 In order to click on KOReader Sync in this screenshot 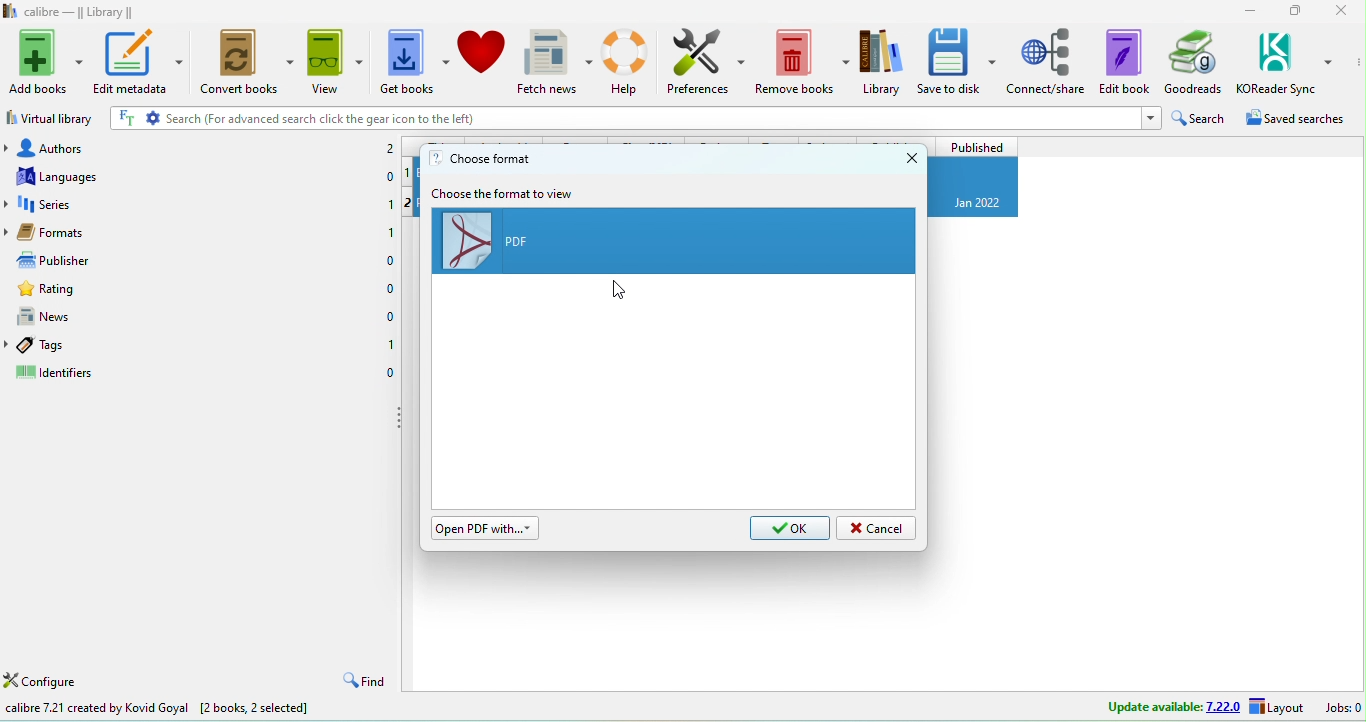, I will do `click(1285, 61)`.